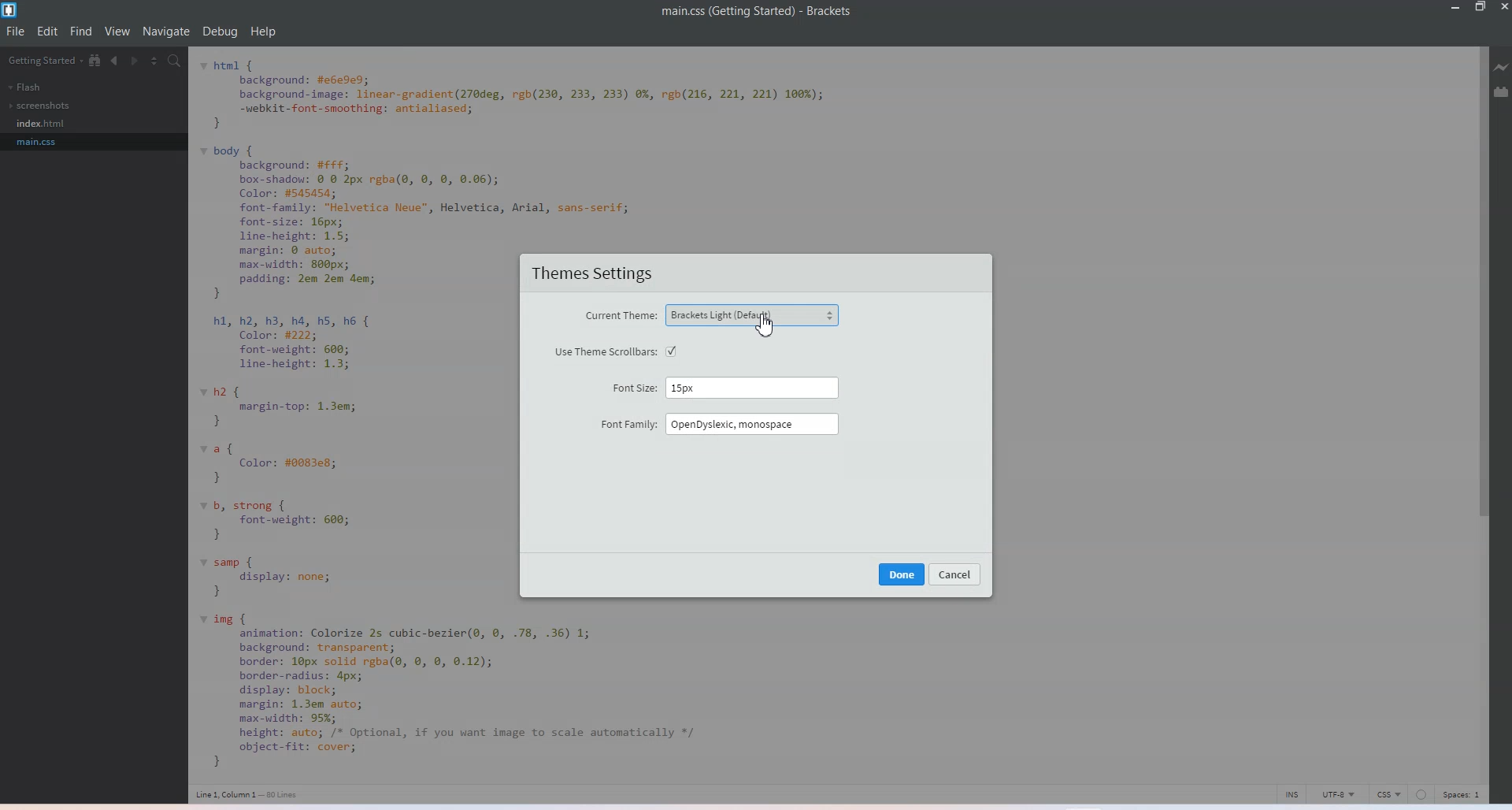  What do you see at coordinates (166, 32) in the screenshot?
I see `Navigate` at bounding box center [166, 32].